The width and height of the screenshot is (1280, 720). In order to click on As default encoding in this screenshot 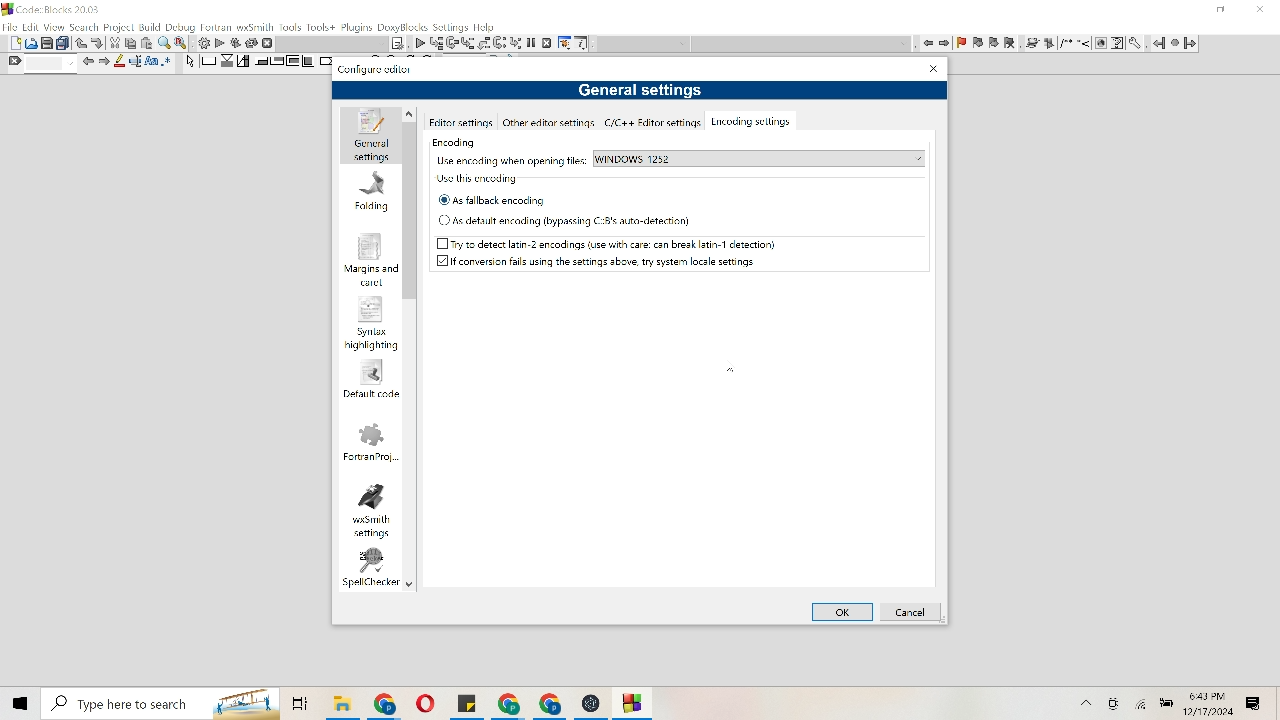, I will do `click(564, 220)`.